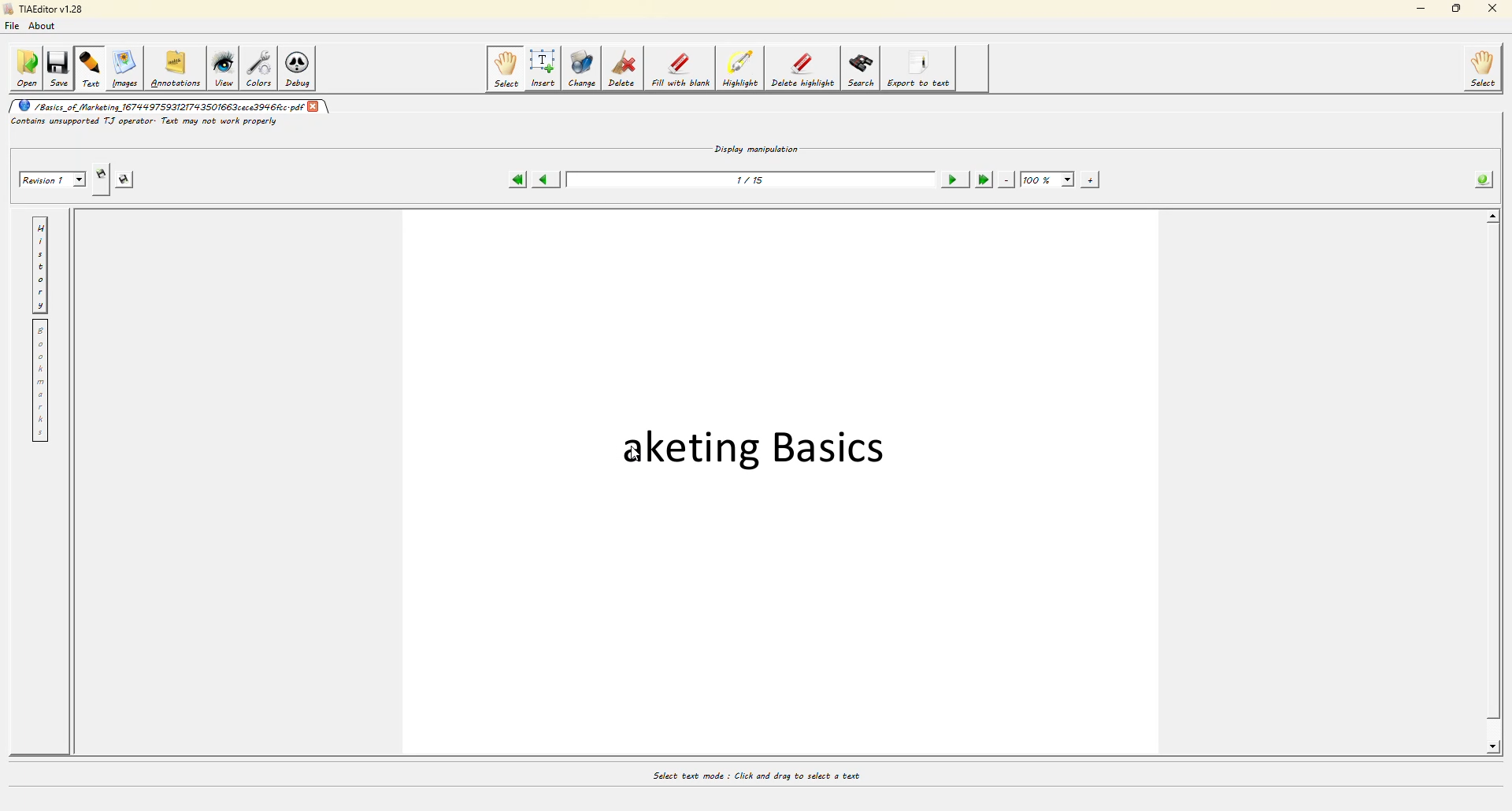  Describe the element at coordinates (102, 173) in the screenshot. I see `creates new revision` at that location.